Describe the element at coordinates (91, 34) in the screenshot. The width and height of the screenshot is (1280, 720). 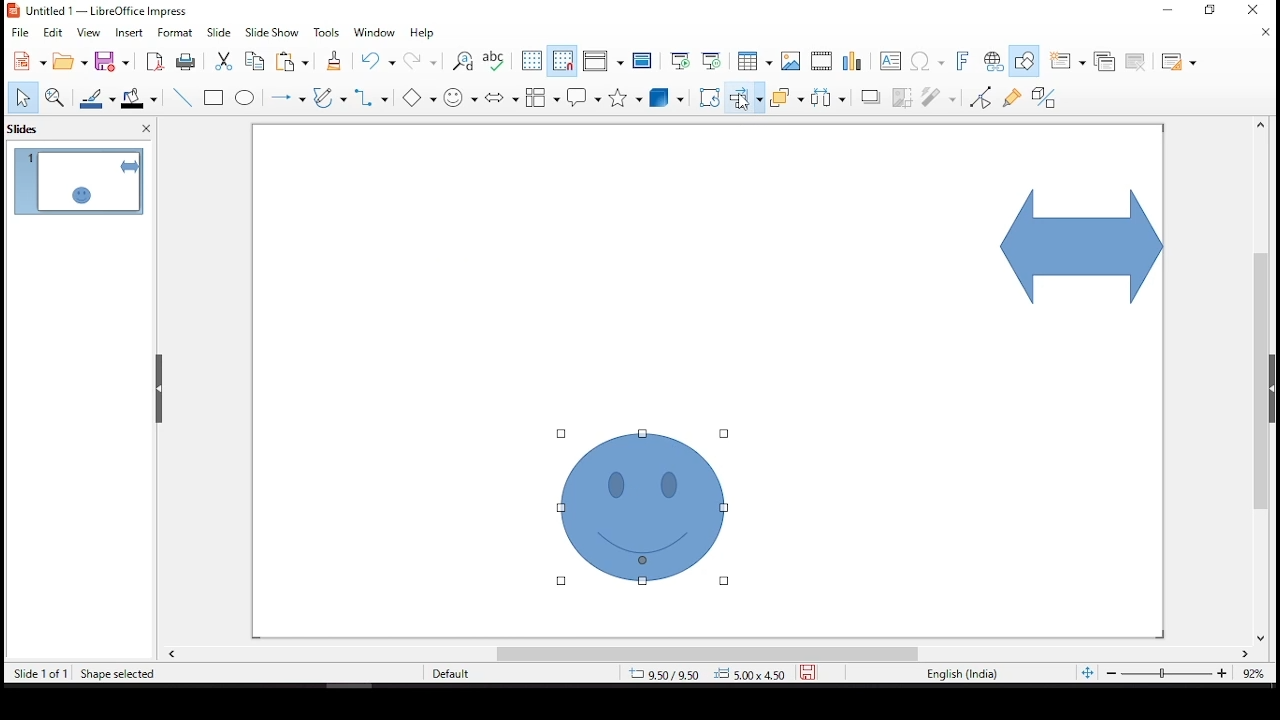
I see `view` at that location.